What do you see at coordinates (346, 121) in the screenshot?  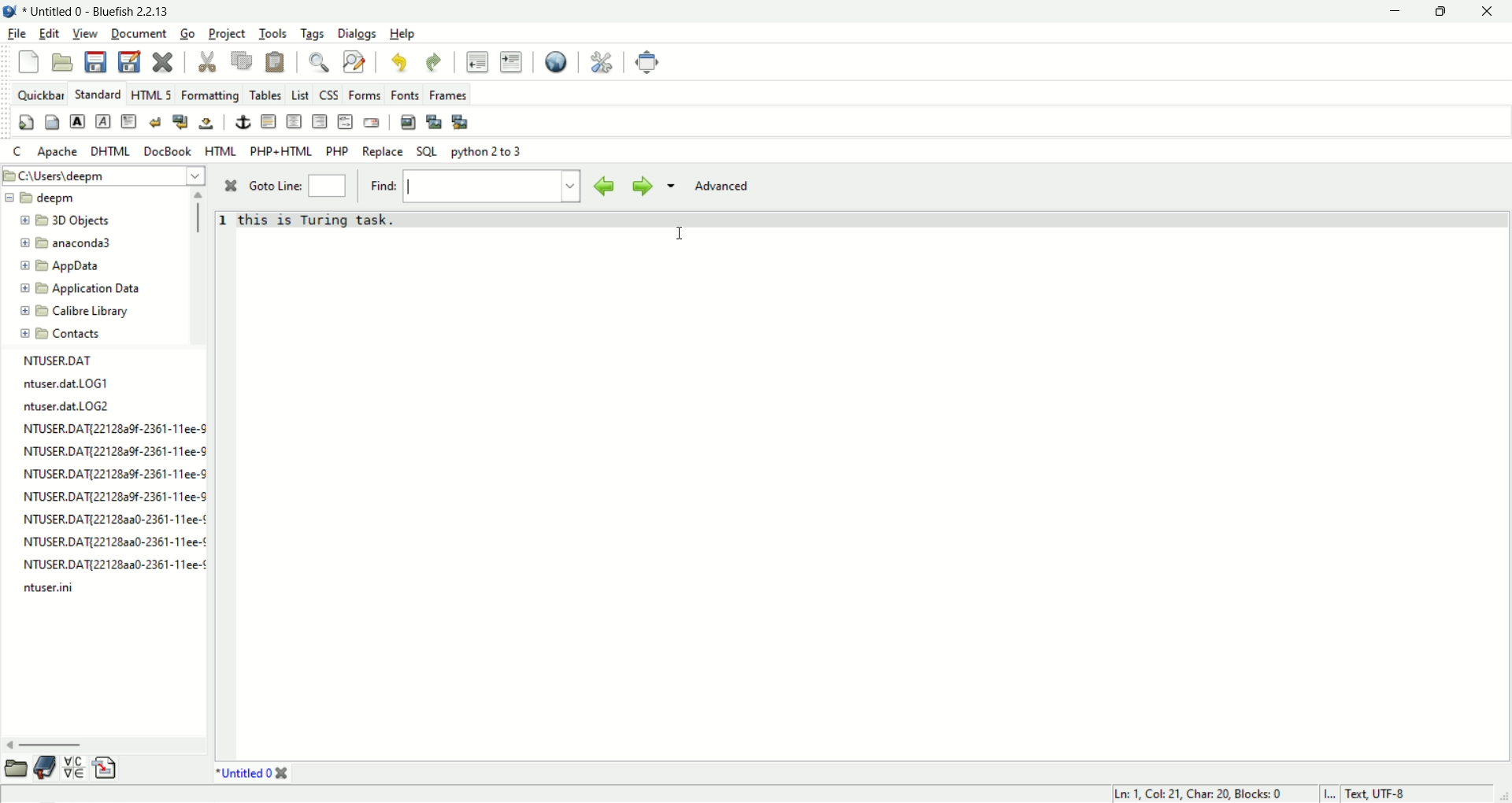 I see `html comment` at bounding box center [346, 121].